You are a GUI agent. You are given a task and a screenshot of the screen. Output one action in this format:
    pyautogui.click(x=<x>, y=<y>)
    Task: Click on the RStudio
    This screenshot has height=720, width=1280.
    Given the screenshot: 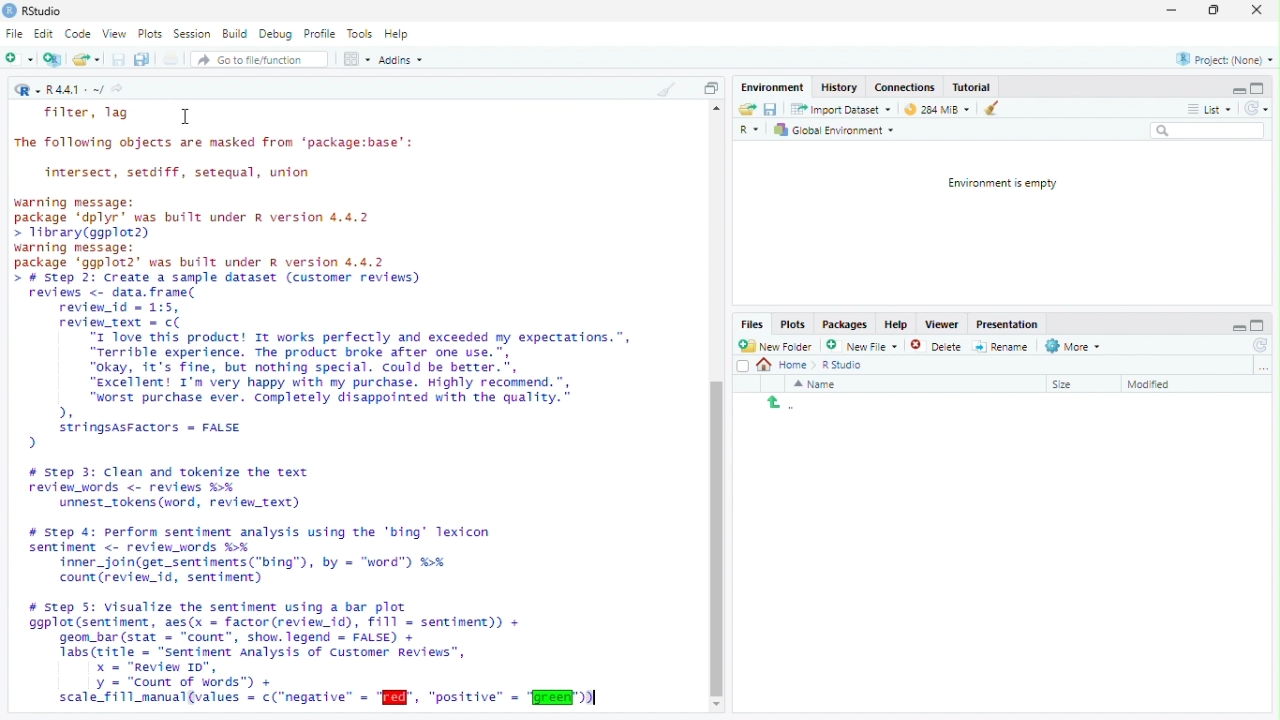 What is the action you would take?
    pyautogui.click(x=33, y=11)
    